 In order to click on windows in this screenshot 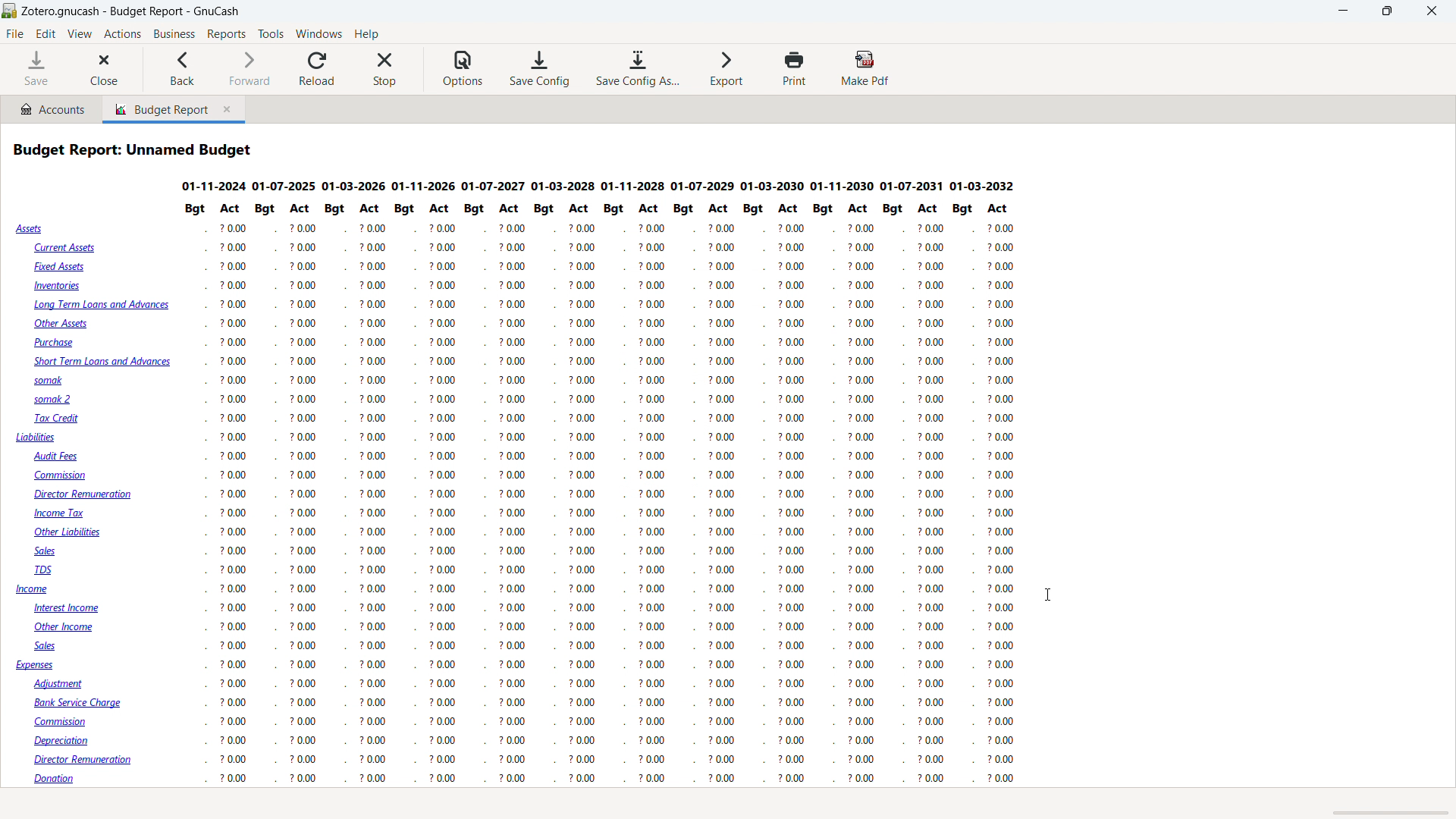, I will do `click(319, 33)`.